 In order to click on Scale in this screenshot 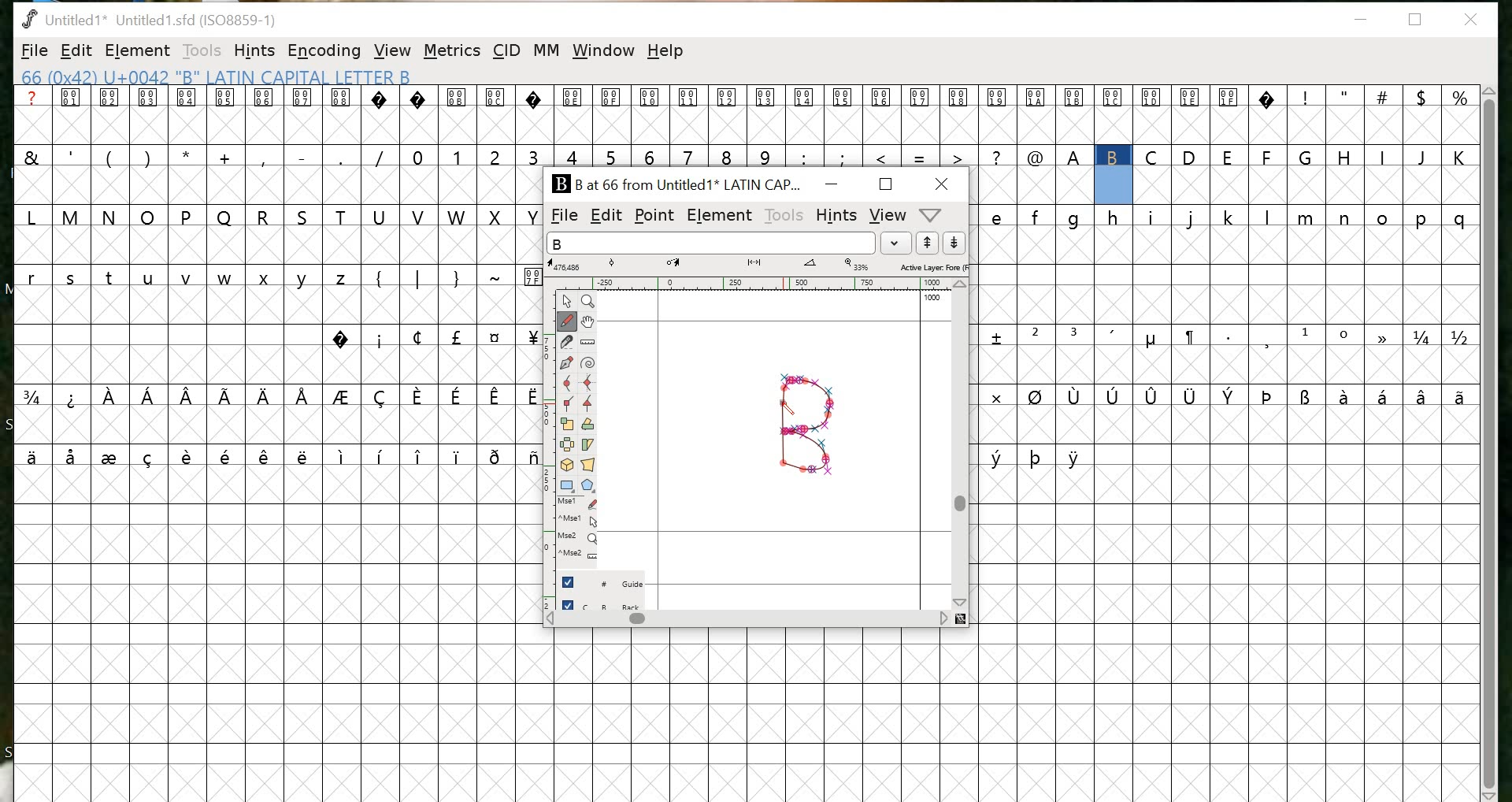, I will do `click(568, 427)`.